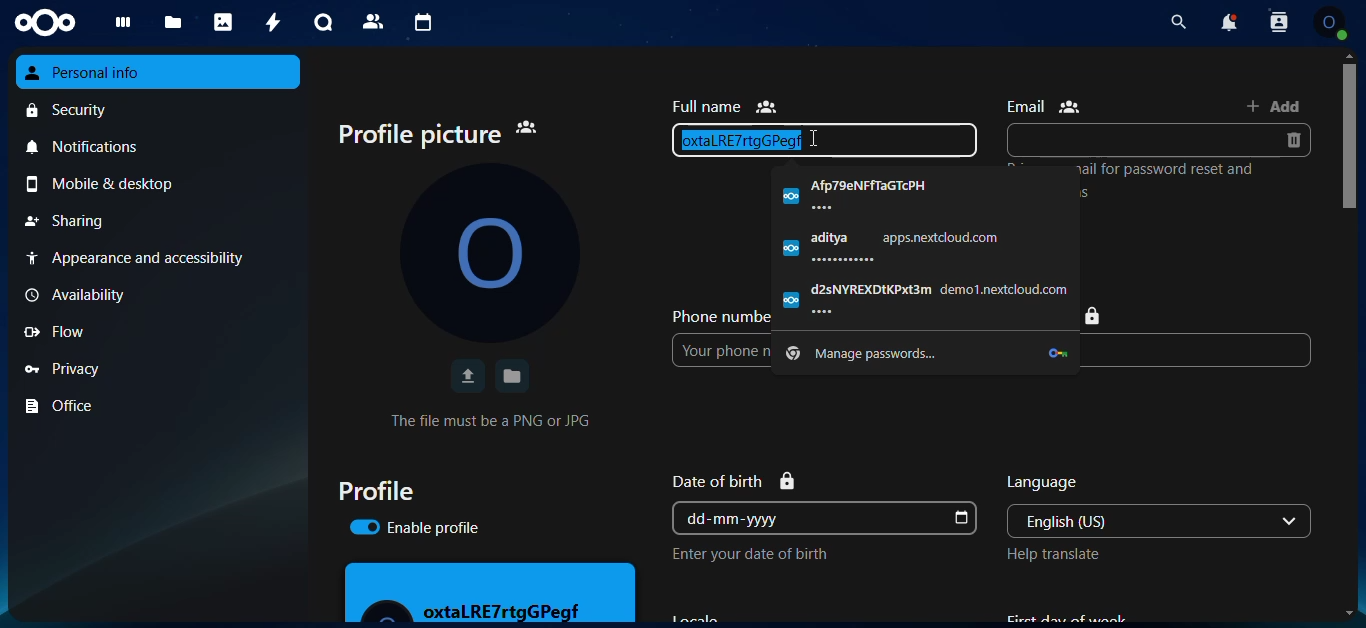 This screenshot has width=1366, height=628. Describe the element at coordinates (1178, 22) in the screenshot. I see `search` at that location.